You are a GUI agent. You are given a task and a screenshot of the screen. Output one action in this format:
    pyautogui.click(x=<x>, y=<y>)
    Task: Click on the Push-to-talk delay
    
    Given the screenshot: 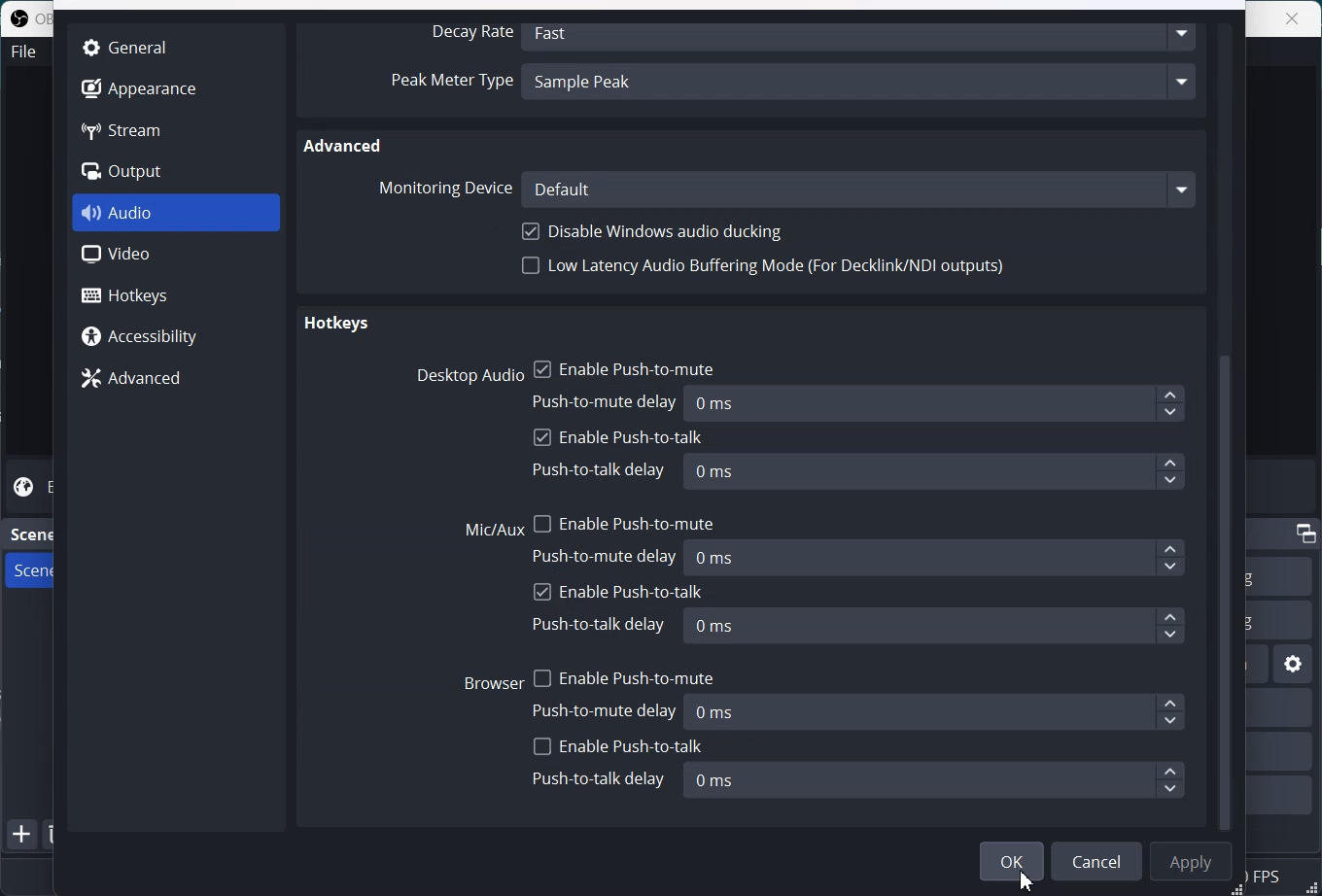 What is the action you would take?
    pyautogui.click(x=599, y=779)
    